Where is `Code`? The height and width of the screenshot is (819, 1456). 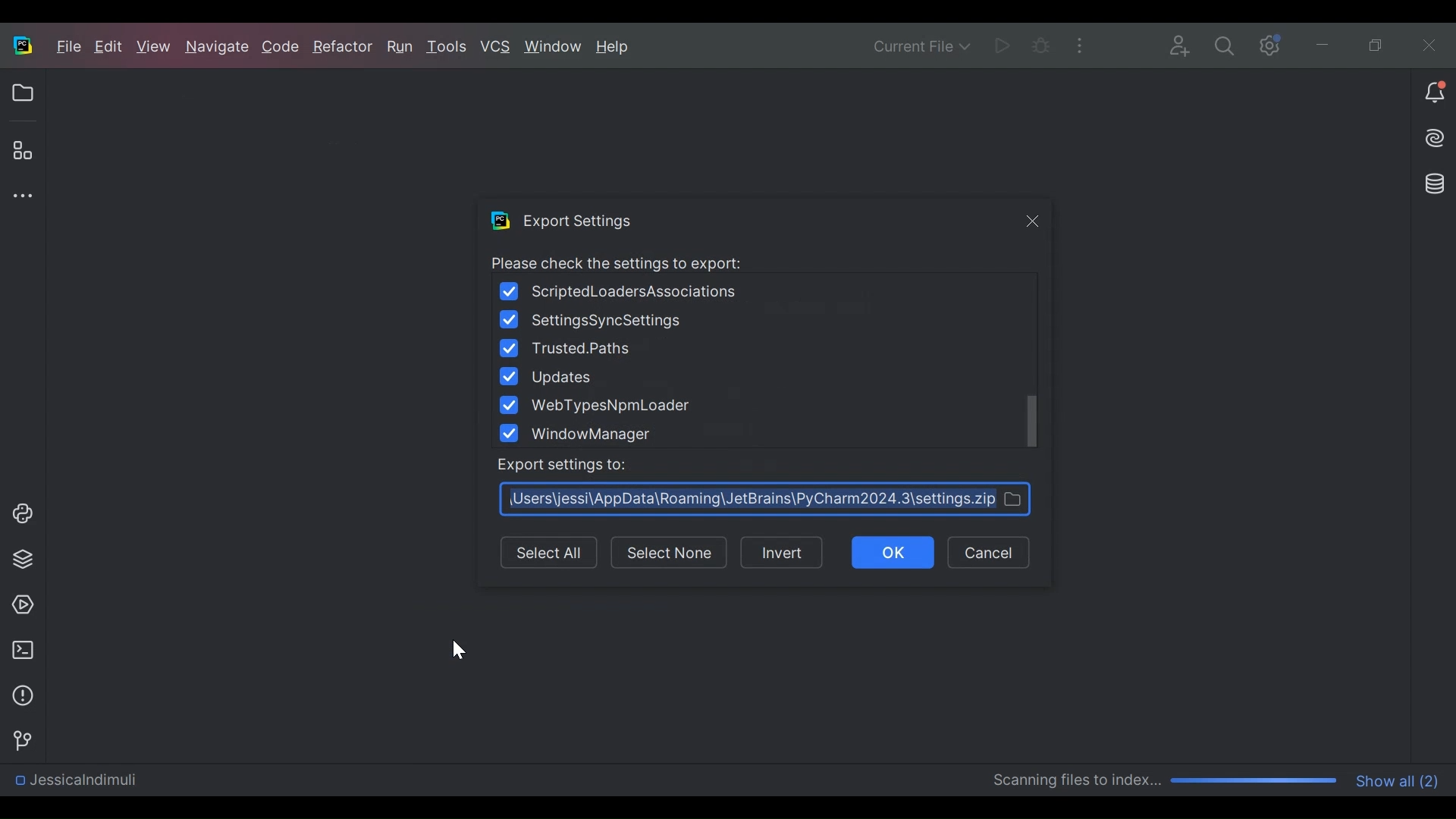 Code is located at coordinates (282, 49).